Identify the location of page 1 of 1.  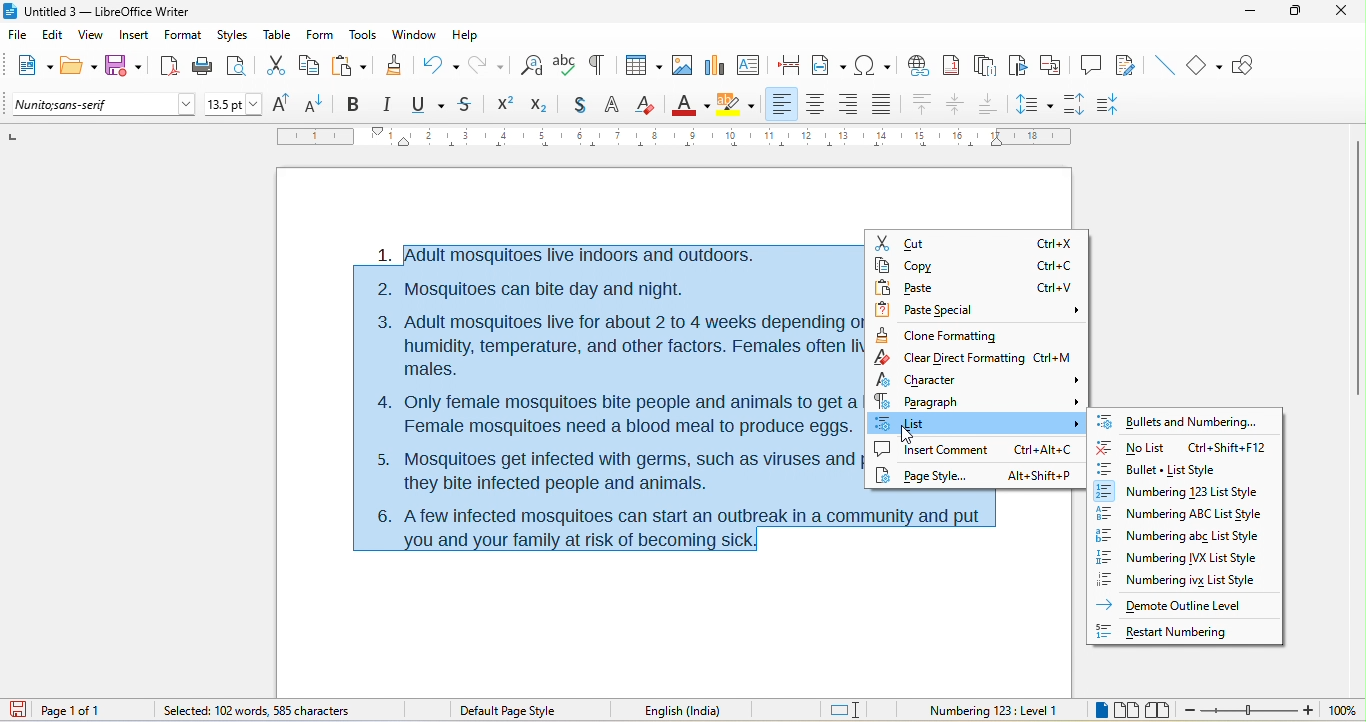
(91, 710).